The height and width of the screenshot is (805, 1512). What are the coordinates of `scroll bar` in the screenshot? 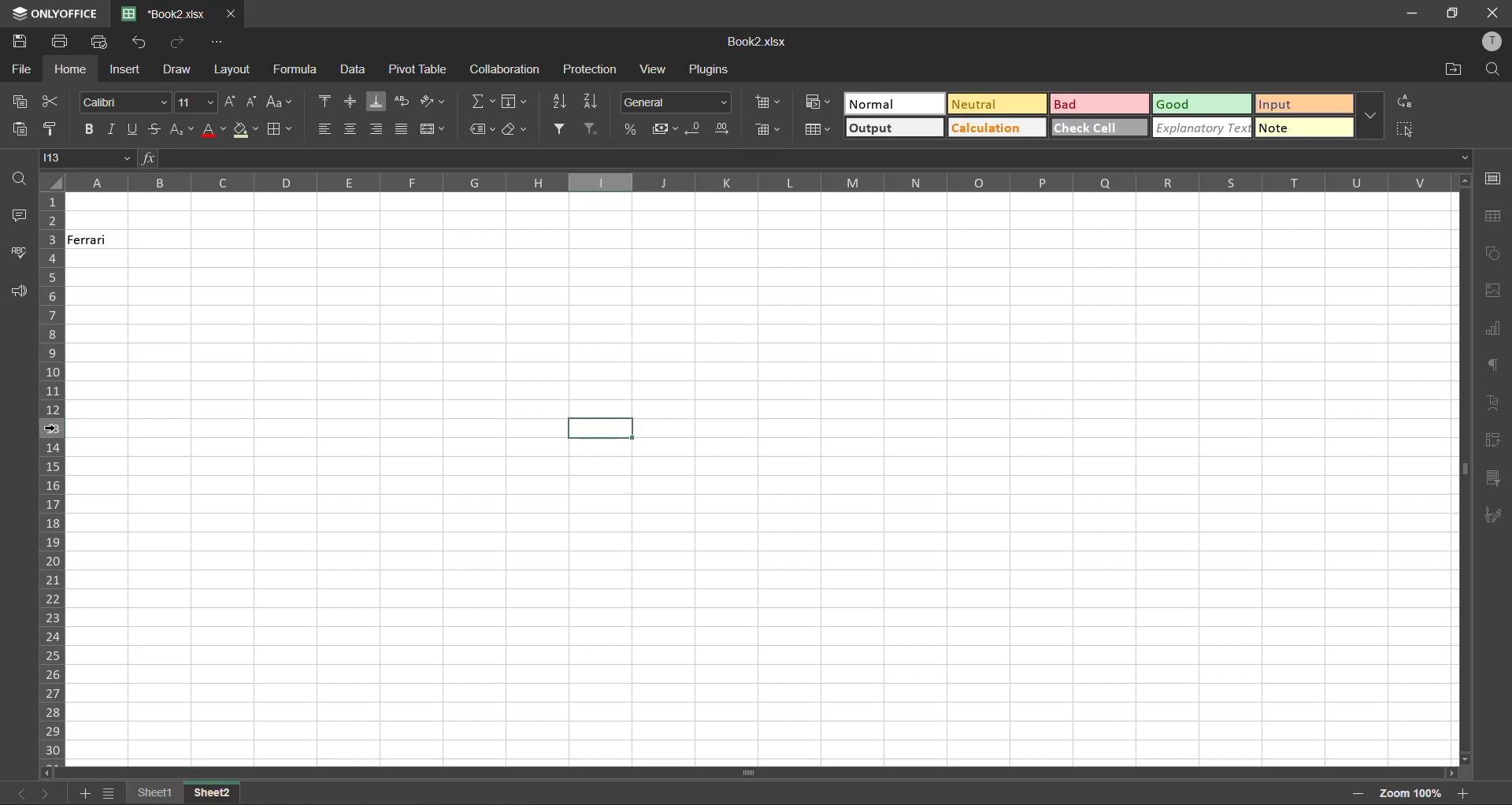 It's located at (750, 772).